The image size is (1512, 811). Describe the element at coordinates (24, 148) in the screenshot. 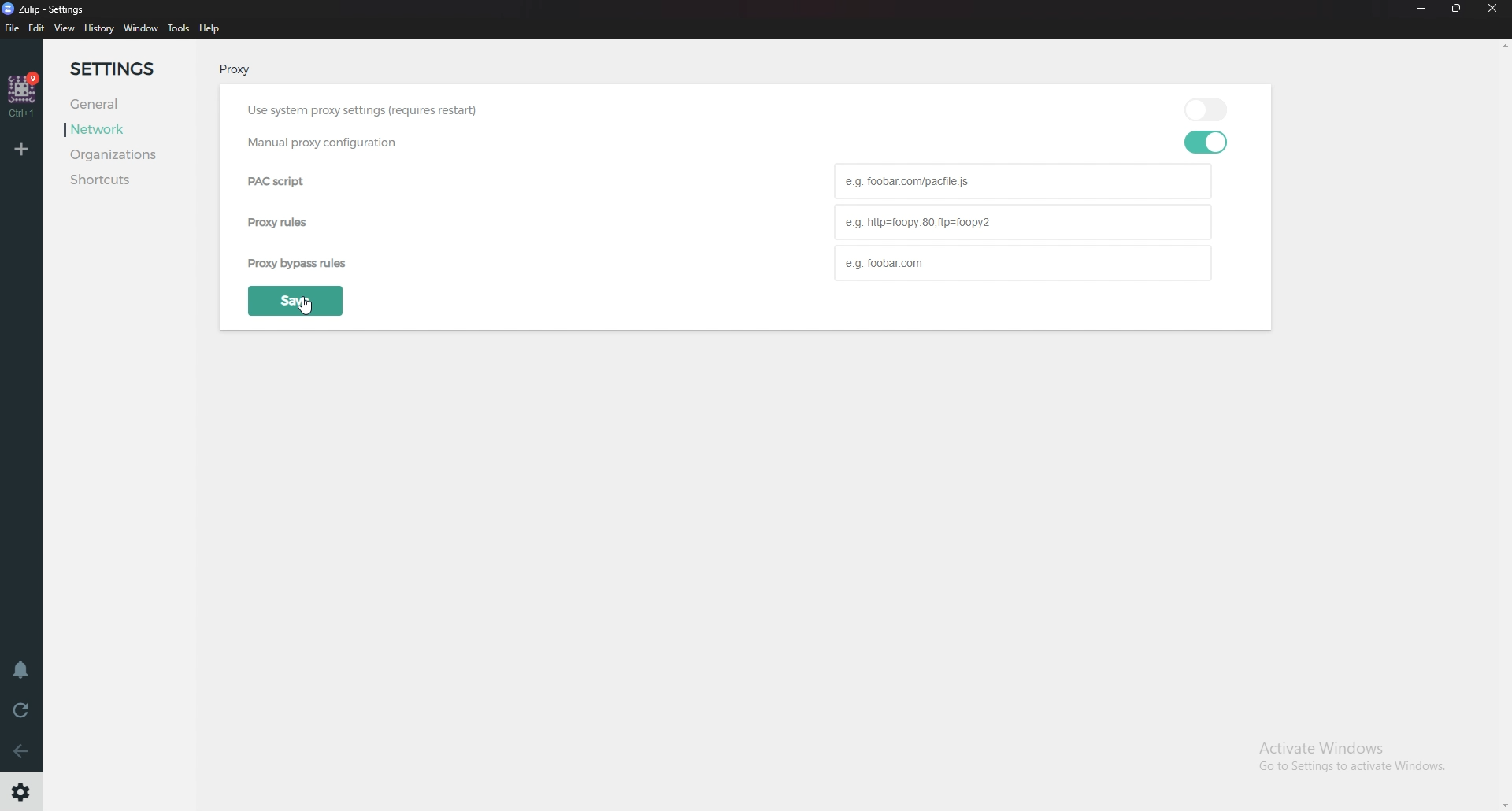

I see `Add organization` at that location.